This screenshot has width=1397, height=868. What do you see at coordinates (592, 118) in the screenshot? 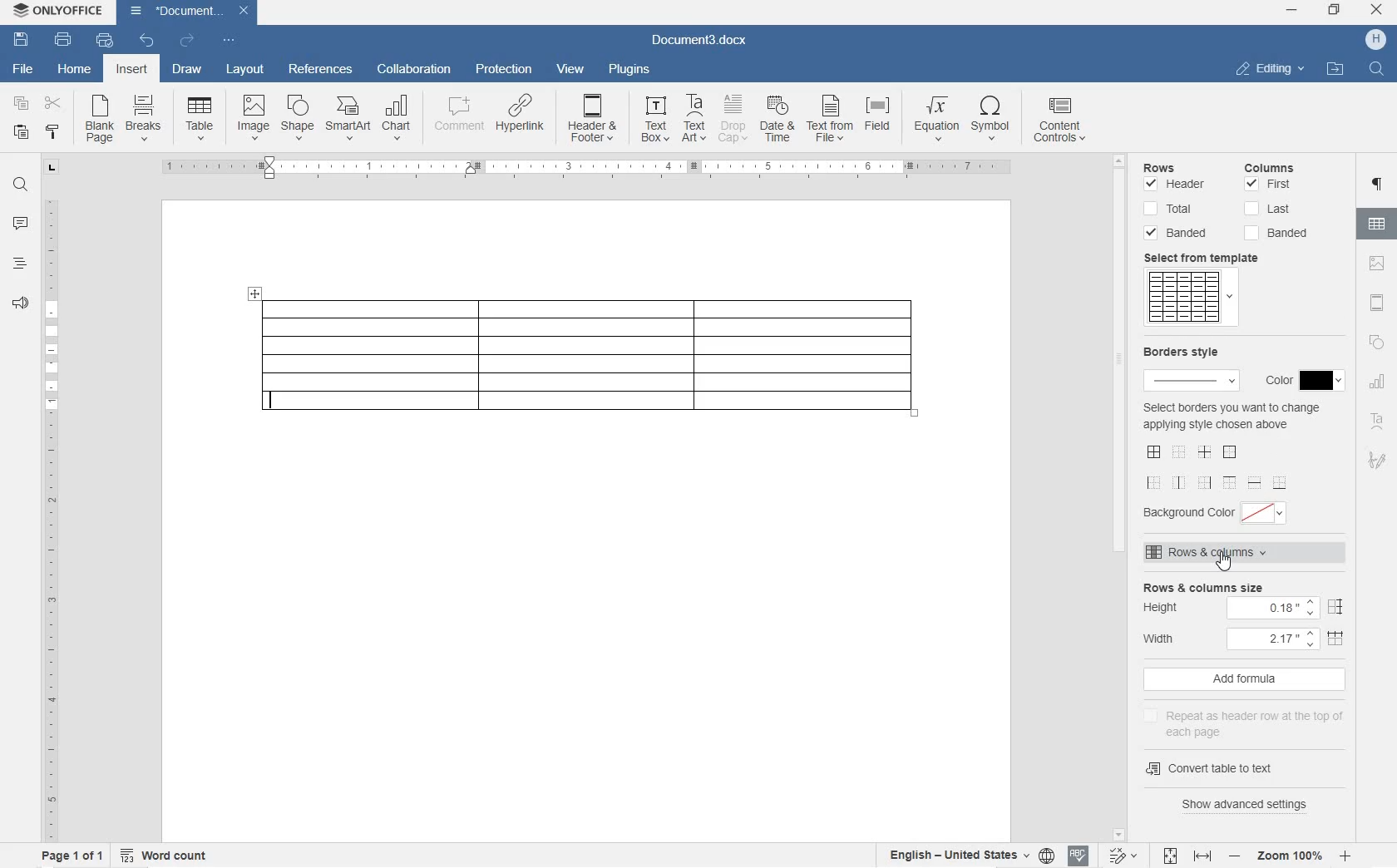
I see `HEADER & FOOTER` at bounding box center [592, 118].